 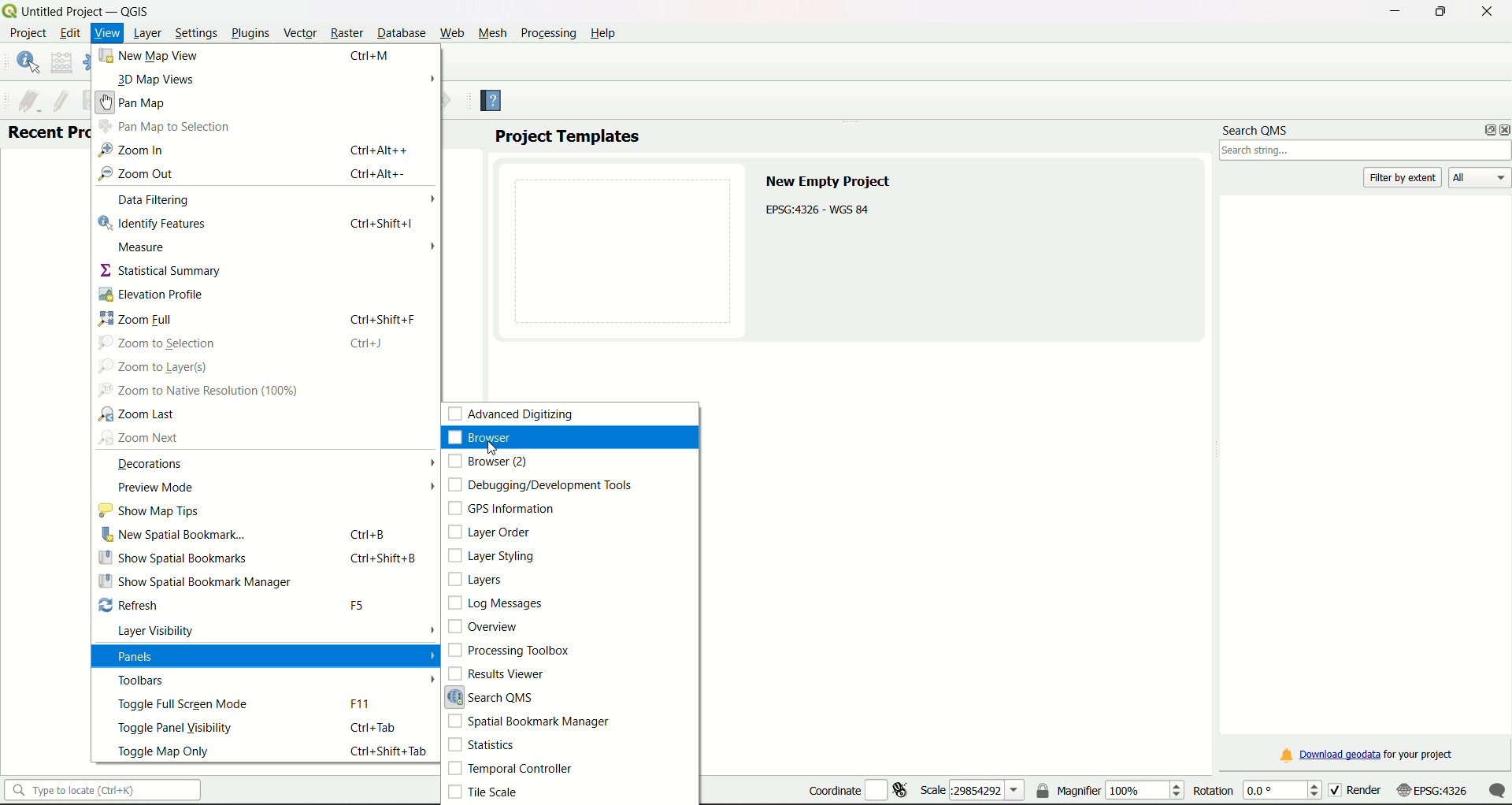 I want to click on tile scale, so click(x=487, y=793).